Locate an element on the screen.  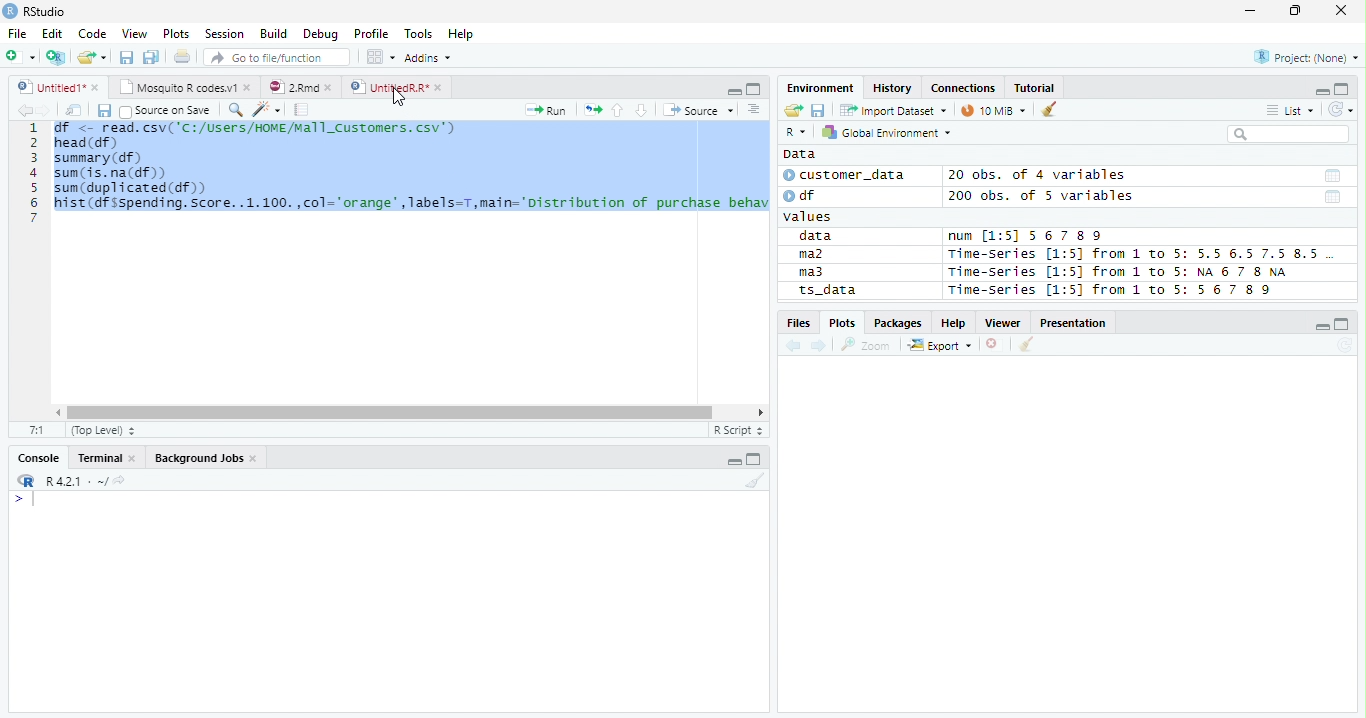
Search is located at coordinates (1286, 134).